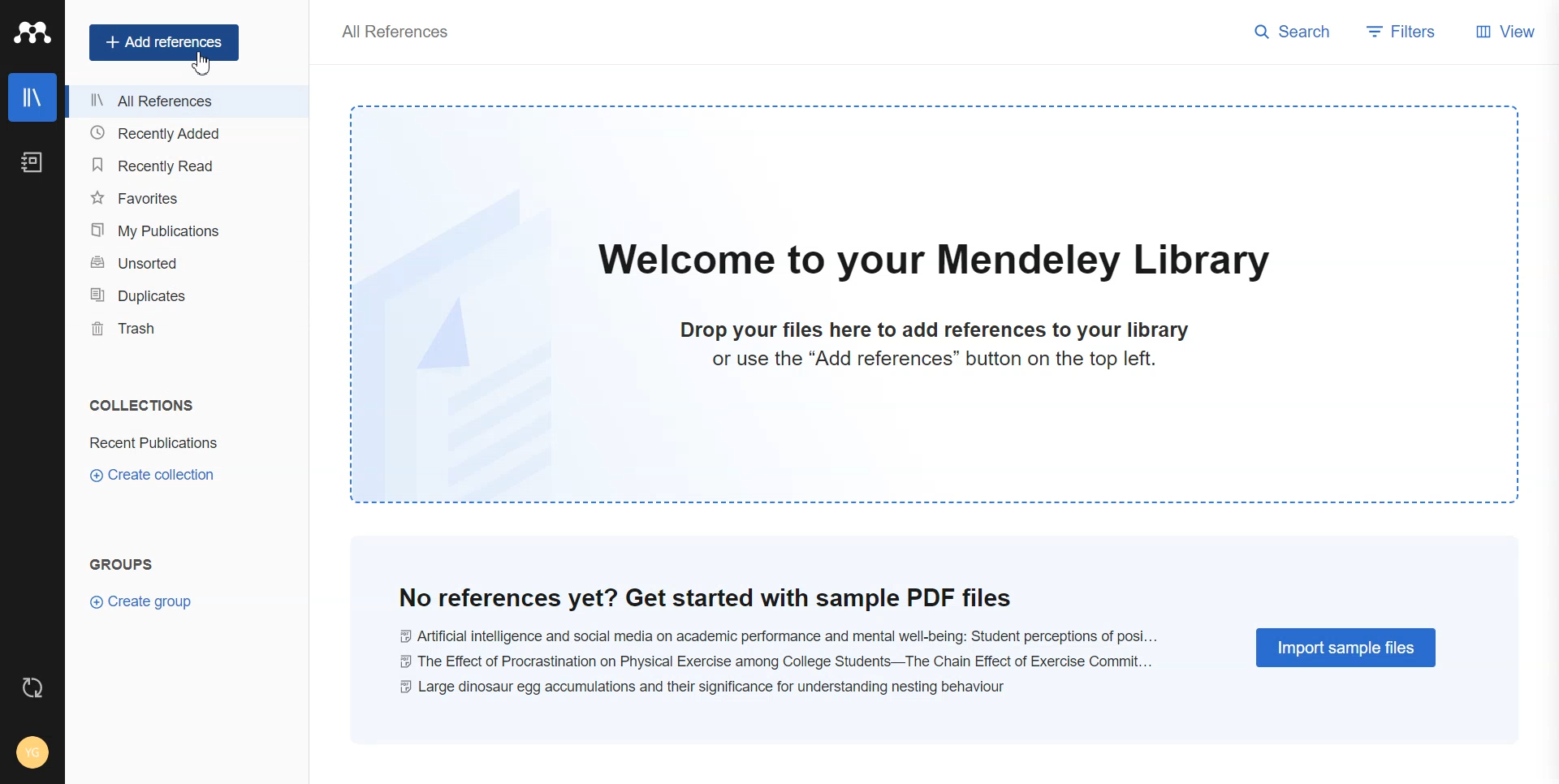 Image resolution: width=1559 pixels, height=784 pixels. I want to click on Drop your files here to add references to your library
or use the “Add references” button on the top left., so click(925, 353).